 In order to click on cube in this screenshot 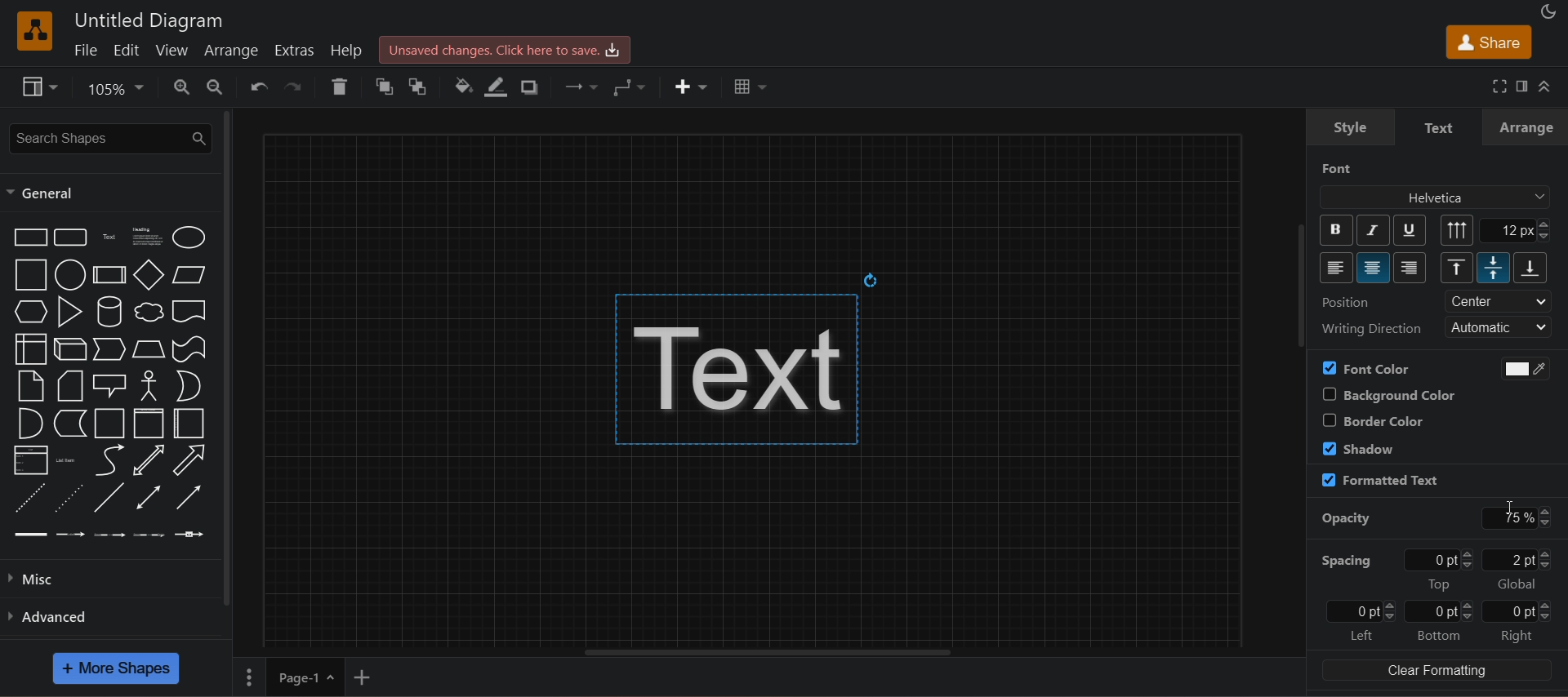, I will do `click(72, 349)`.